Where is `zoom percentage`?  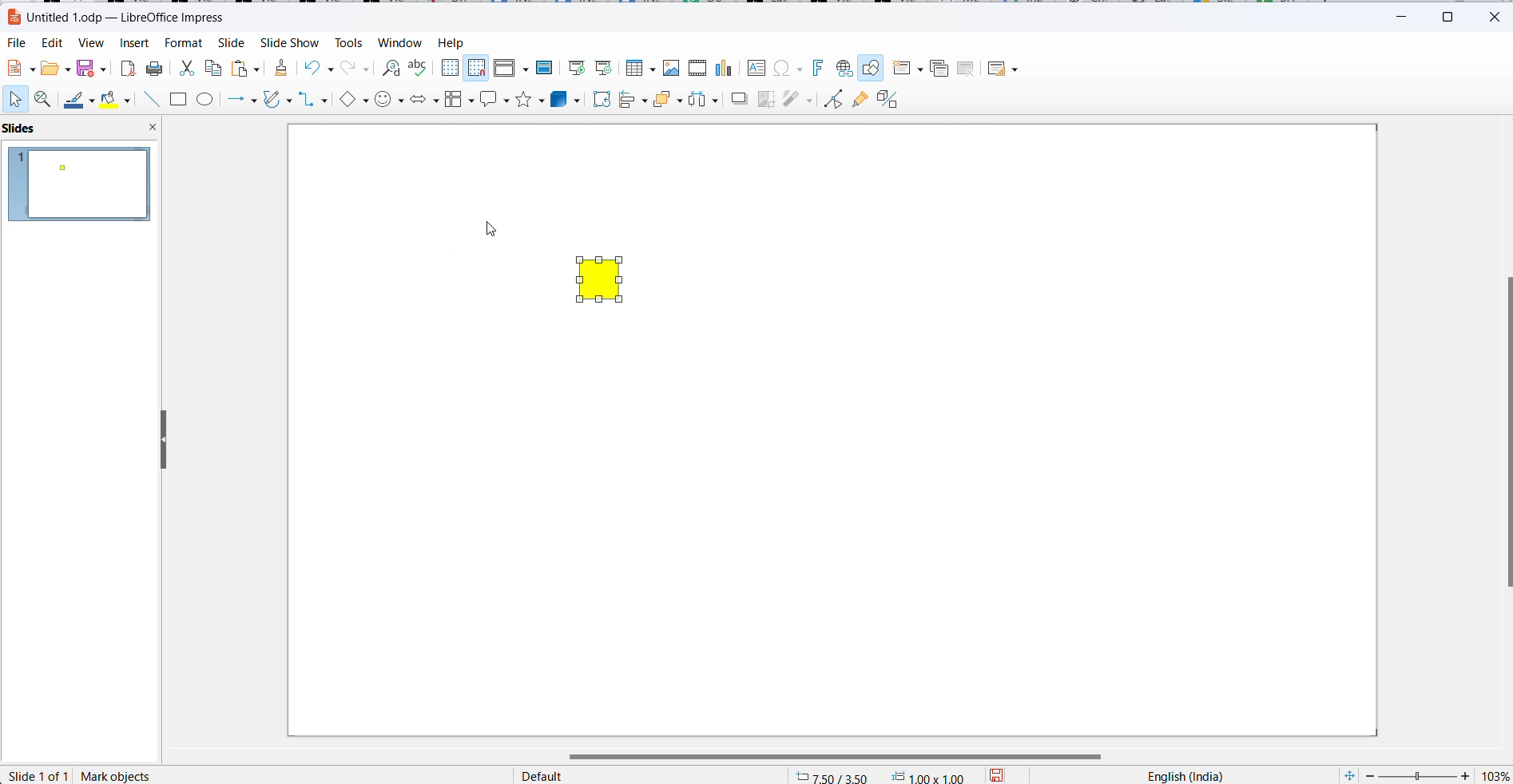
zoom percentage is located at coordinates (1494, 775).